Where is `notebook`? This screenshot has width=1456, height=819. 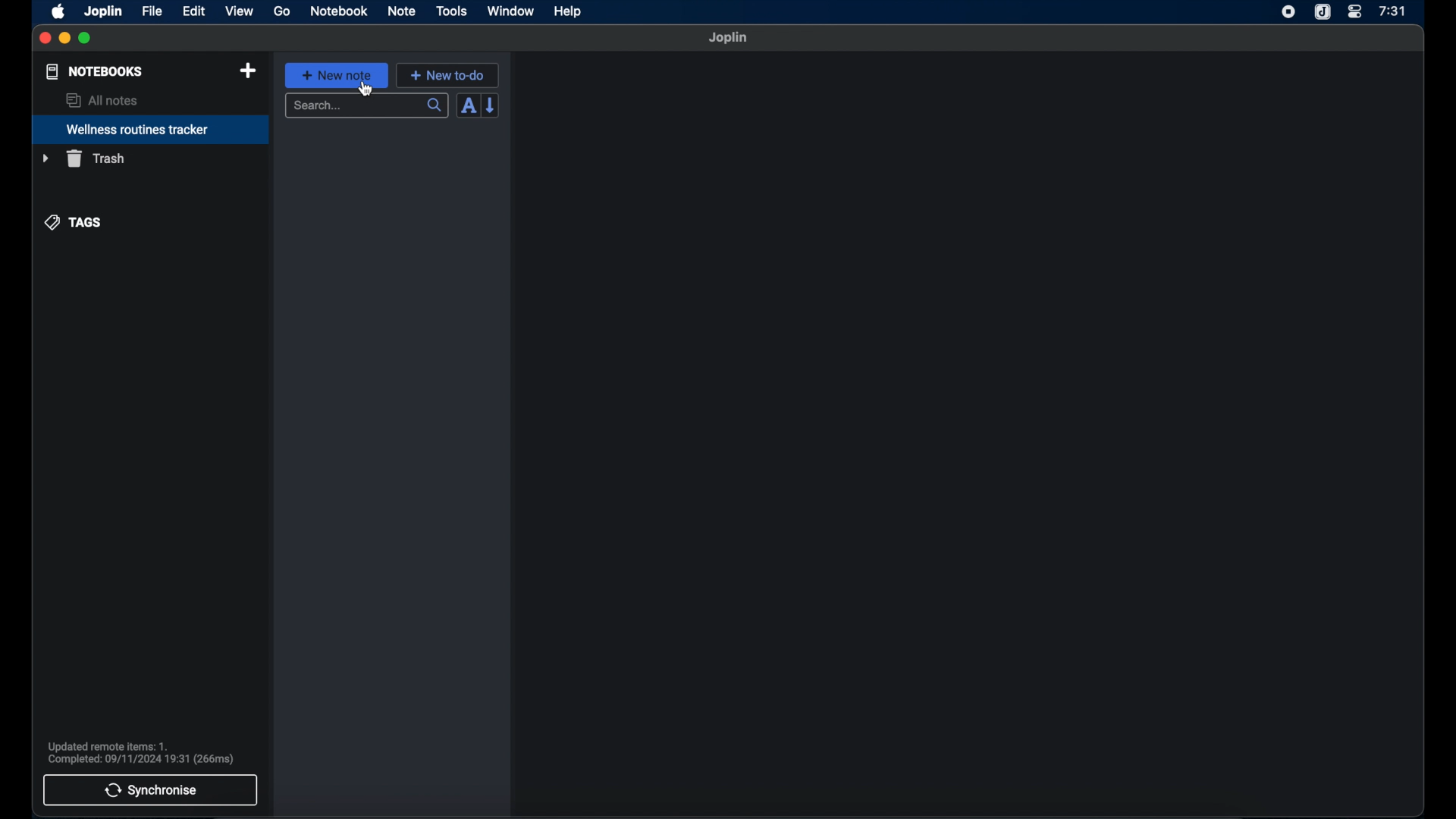 notebook is located at coordinates (339, 11).